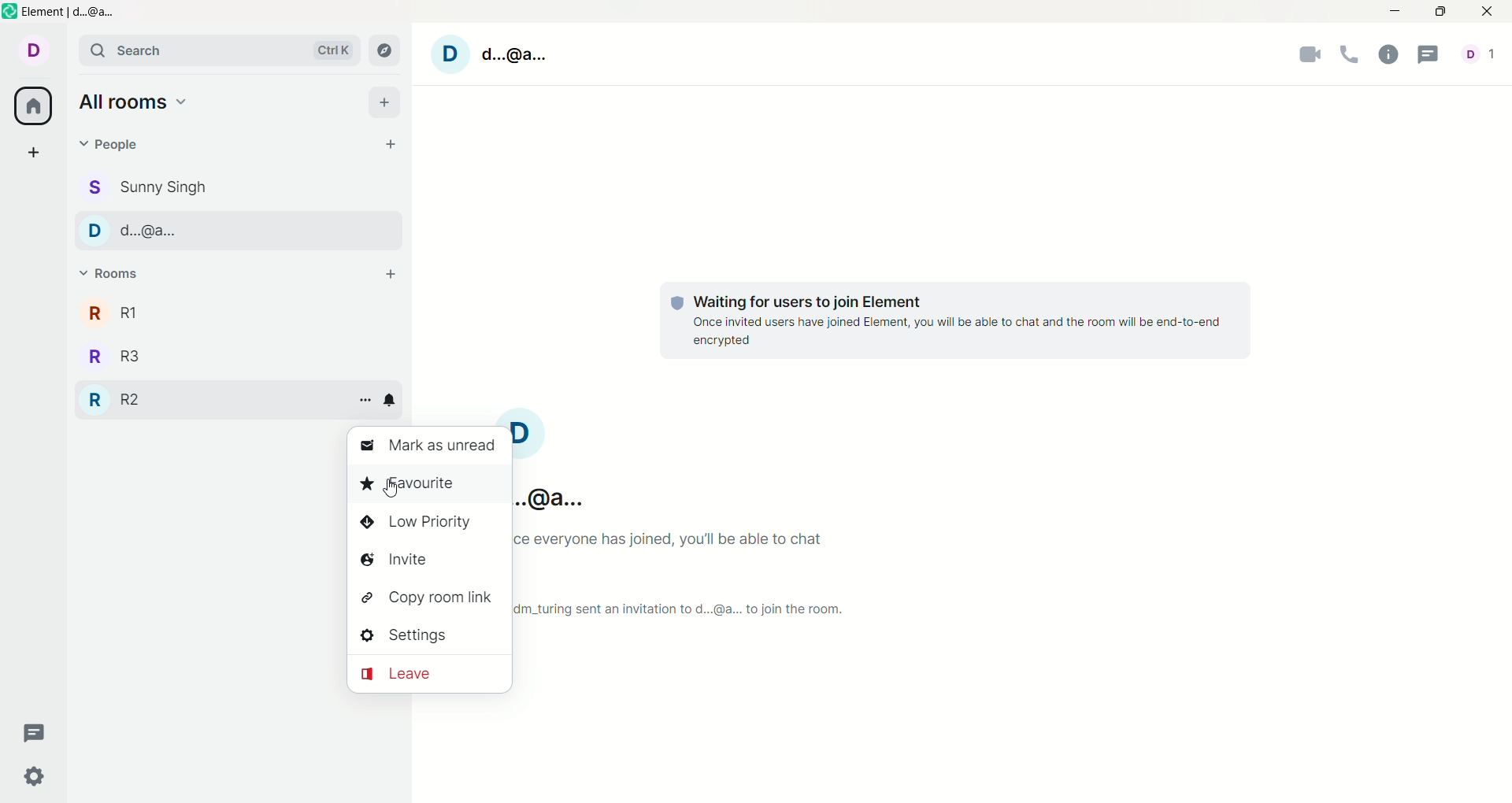 This screenshot has width=1512, height=803. What do you see at coordinates (1351, 56) in the screenshot?
I see `voice call` at bounding box center [1351, 56].